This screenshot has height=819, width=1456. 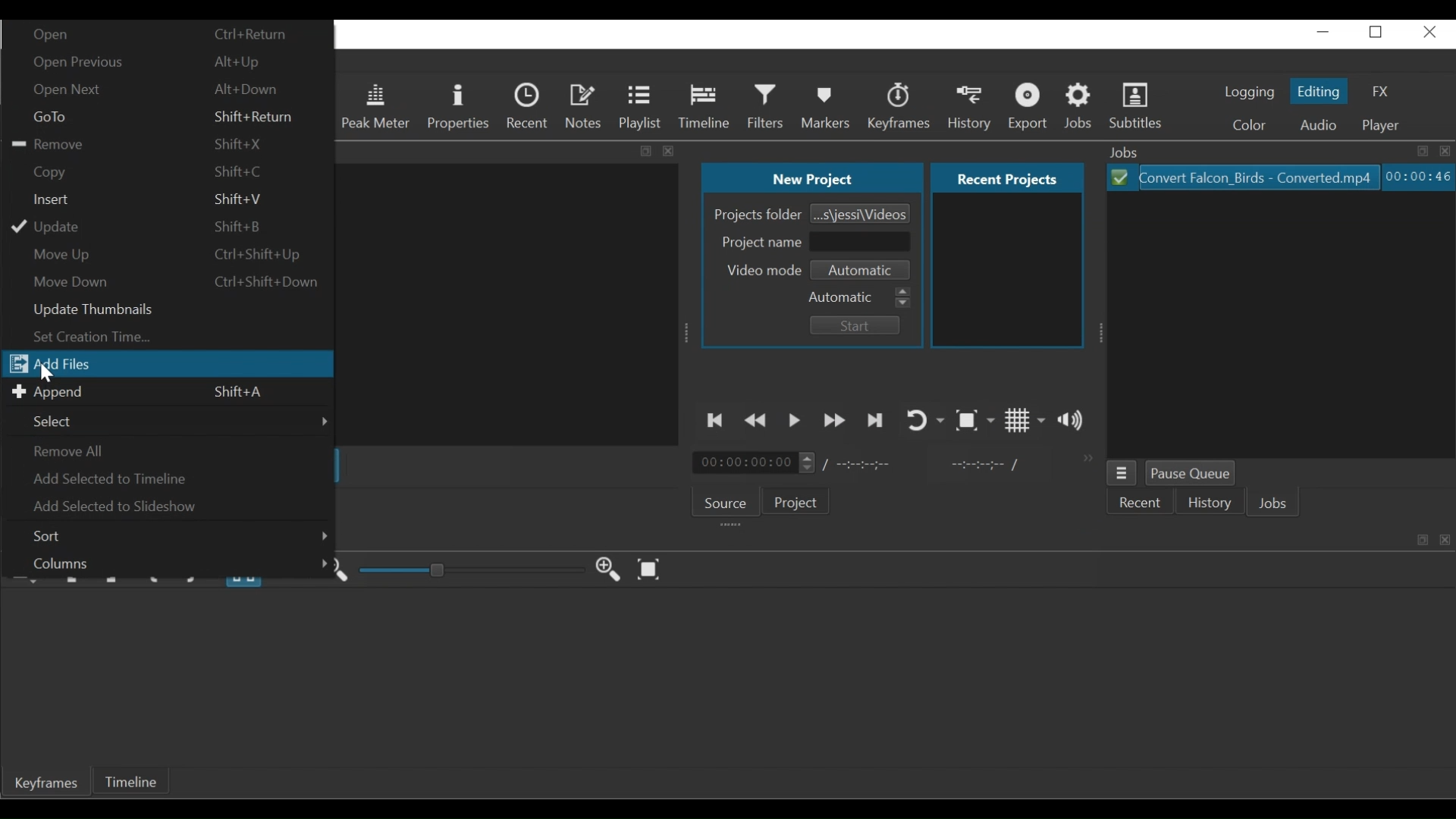 What do you see at coordinates (1382, 126) in the screenshot?
I see `Player` at bounding box center [1382, 126].